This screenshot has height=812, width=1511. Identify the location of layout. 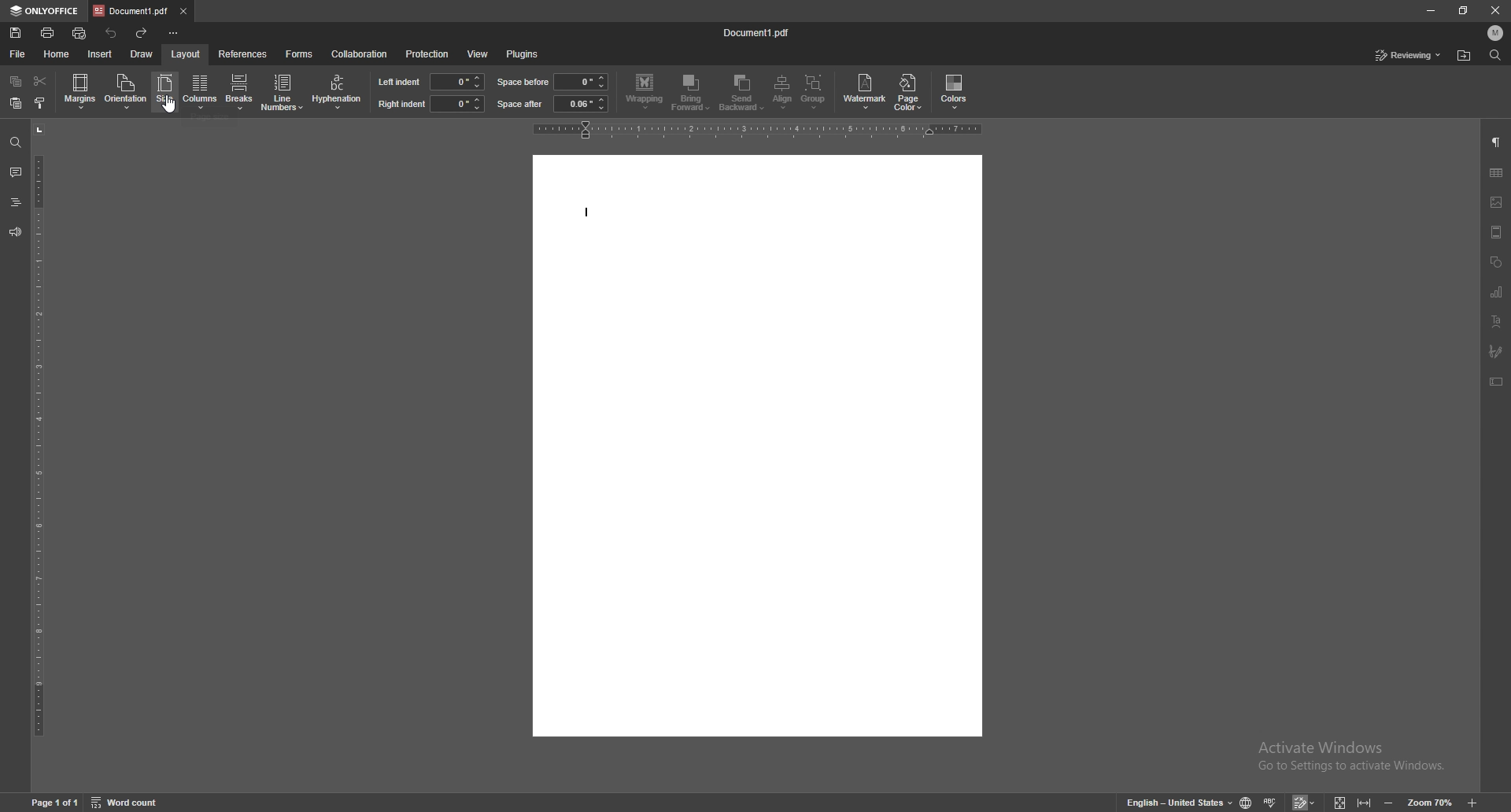
(185, 54).